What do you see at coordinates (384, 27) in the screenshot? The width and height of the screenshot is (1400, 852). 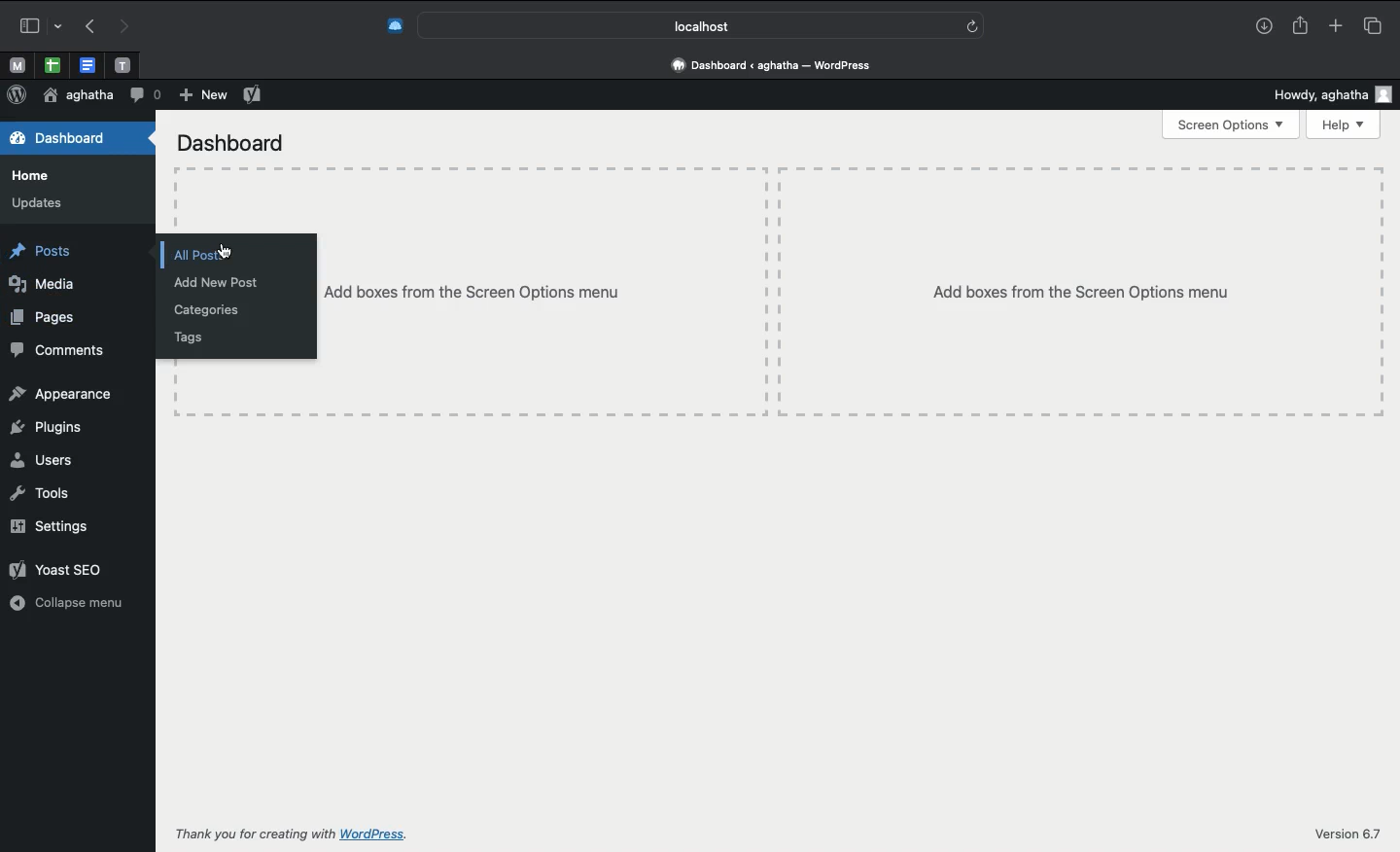 I see `Extensions` at bounding box center [384, 27].